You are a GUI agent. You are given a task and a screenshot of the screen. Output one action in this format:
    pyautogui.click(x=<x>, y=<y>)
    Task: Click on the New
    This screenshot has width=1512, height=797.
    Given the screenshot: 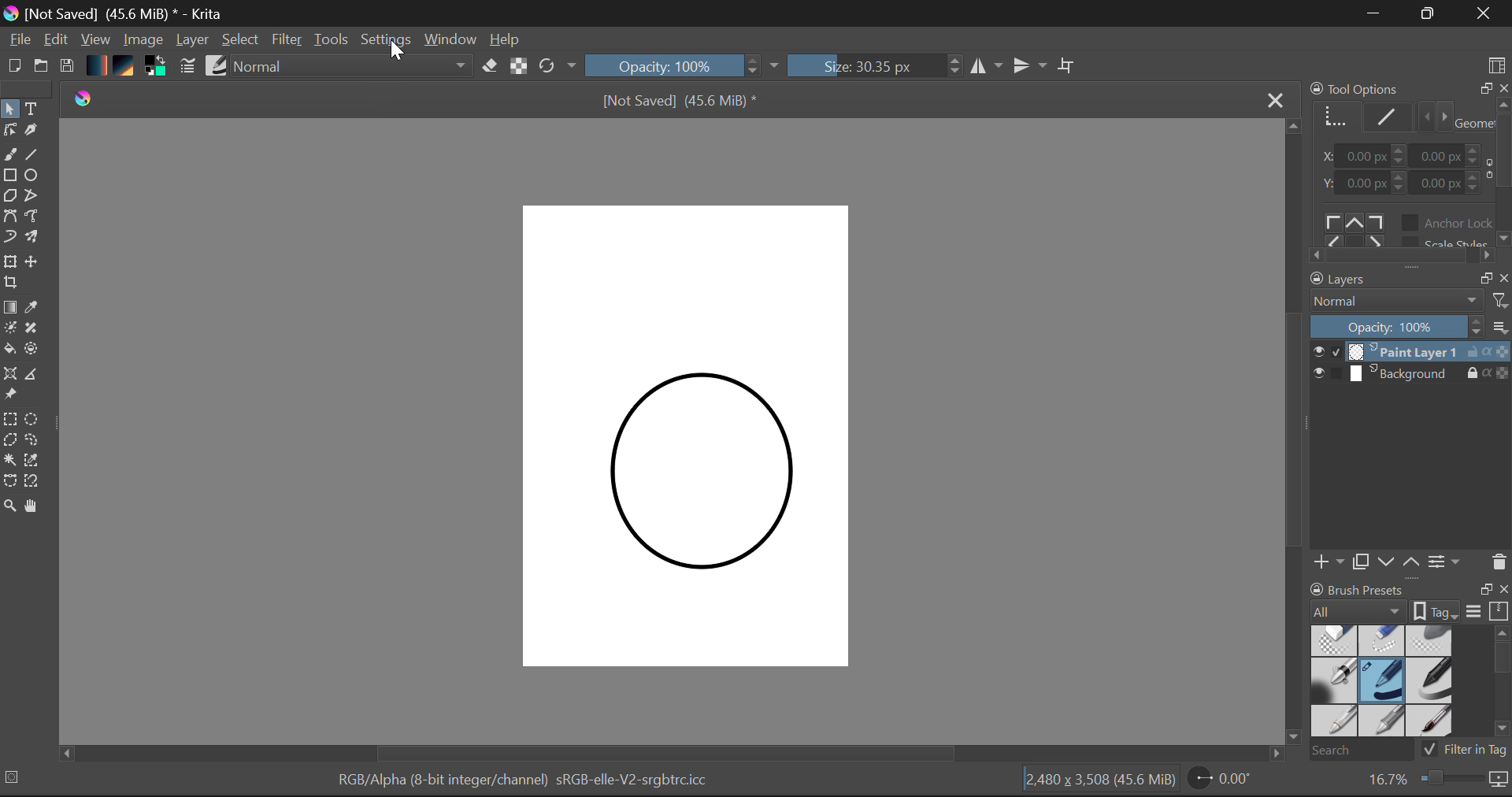 What is the action you would take?
    pyautogui.click(x=11, y=67)
    